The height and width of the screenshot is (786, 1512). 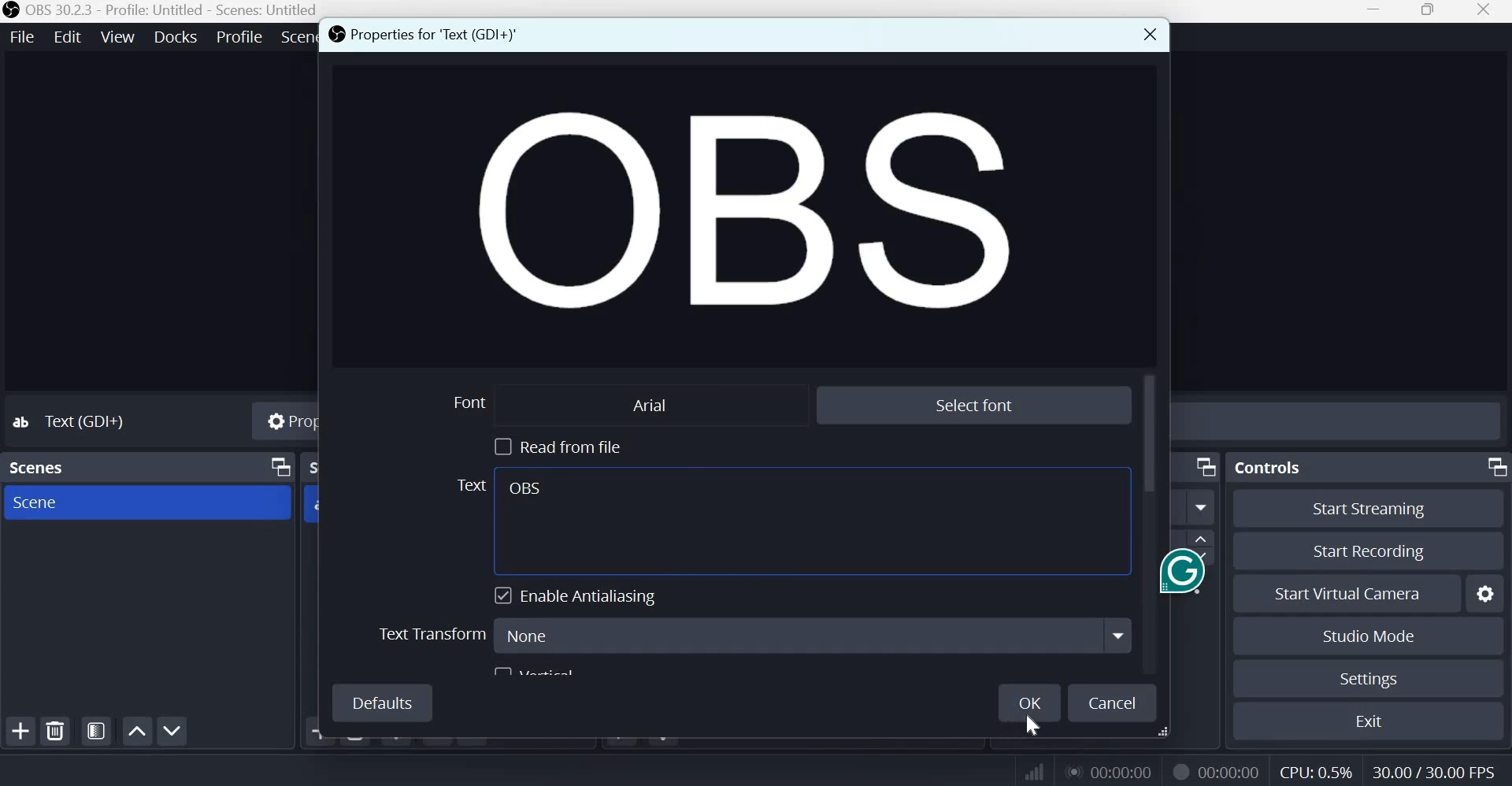 I want to click on Recording Status Icon, so click(x=1178, y=771).